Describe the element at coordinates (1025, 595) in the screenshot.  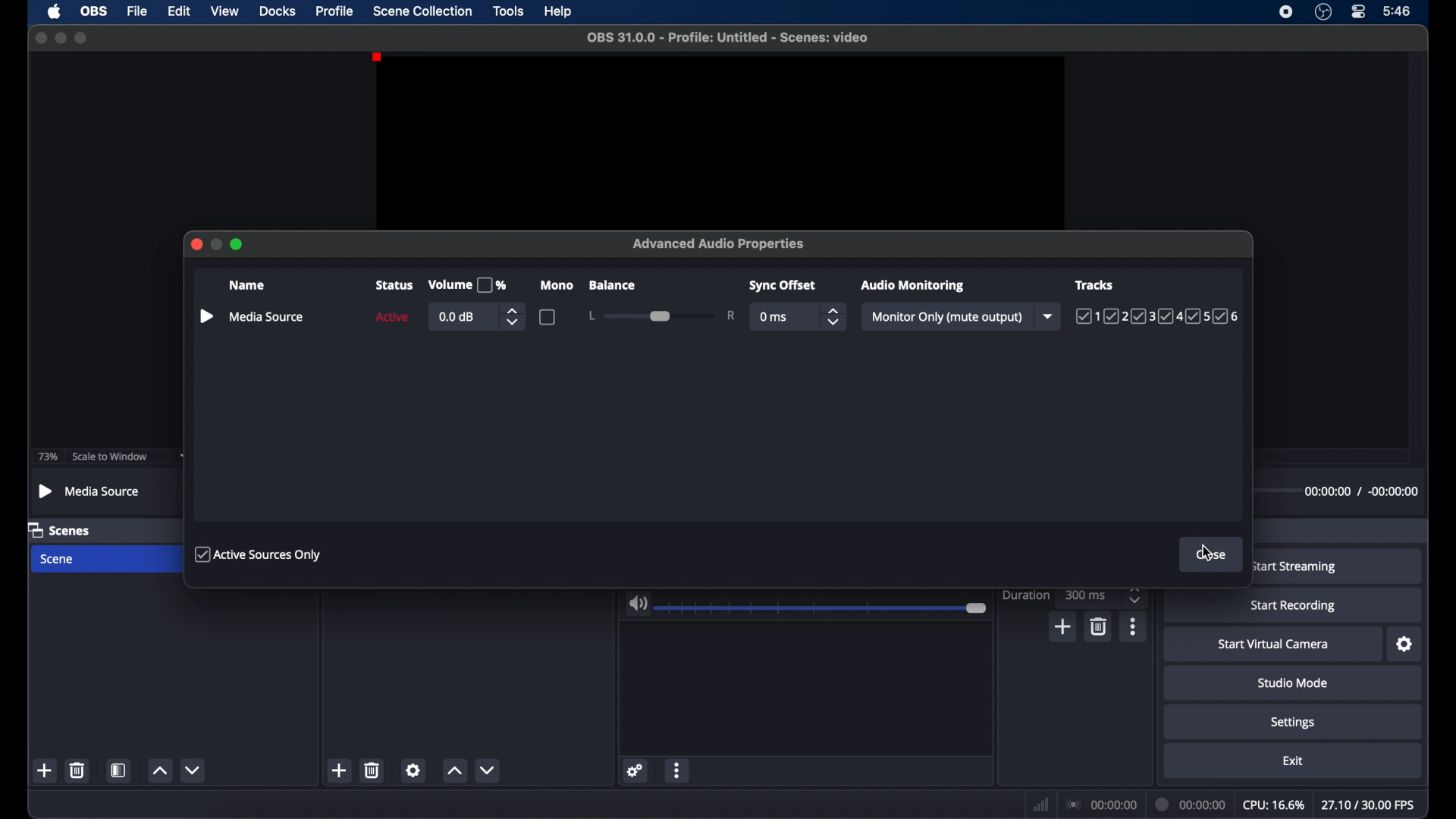
I see `duration` at that location.